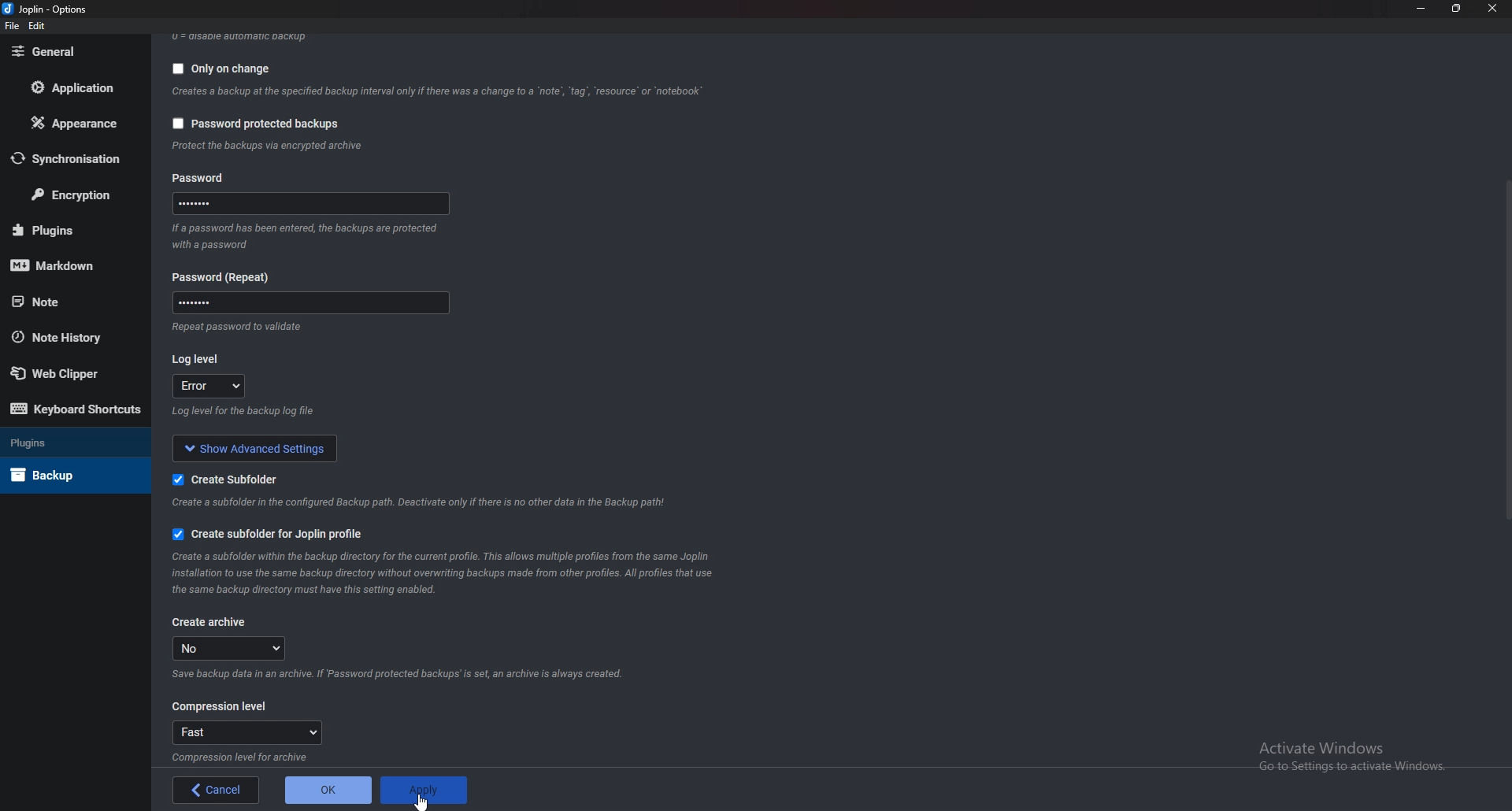  Describe the element at coordinates (217, 789) in the screenshot. I see `back` at that location.